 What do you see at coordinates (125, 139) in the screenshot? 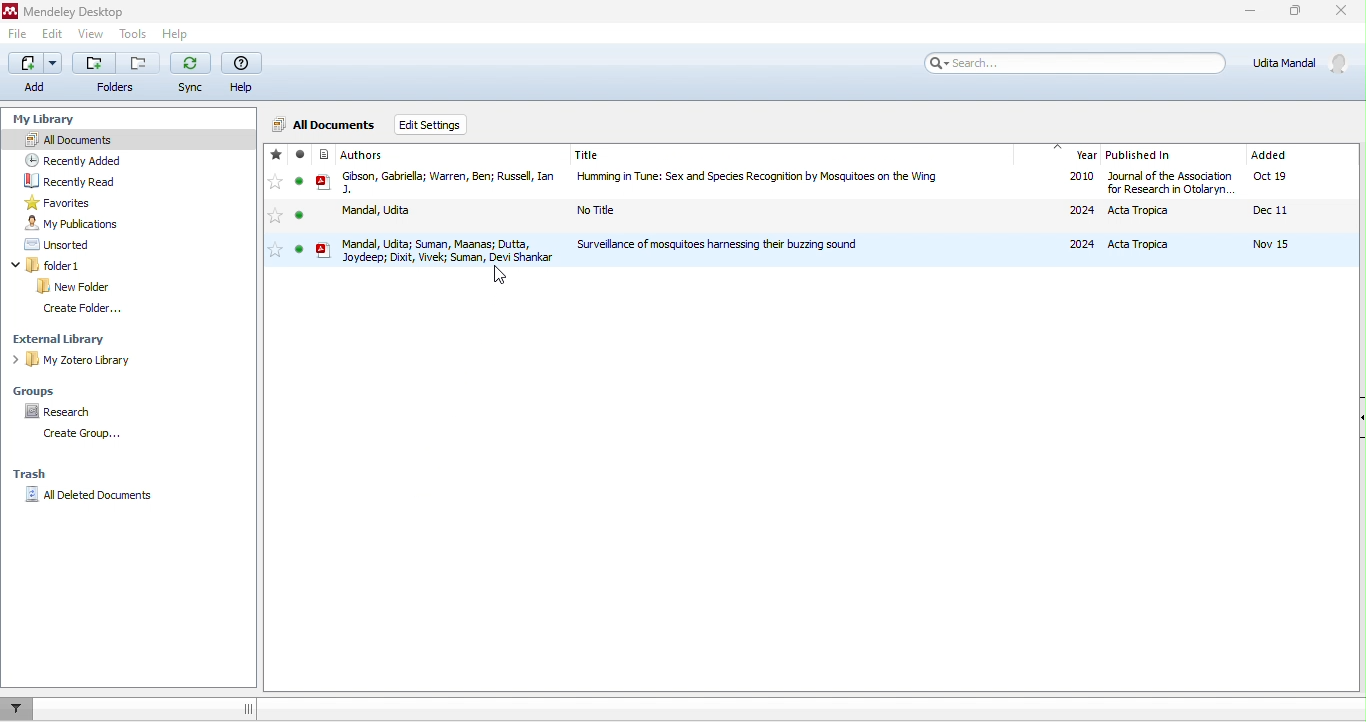
I see `all documents` at bounding box center [125, 139].